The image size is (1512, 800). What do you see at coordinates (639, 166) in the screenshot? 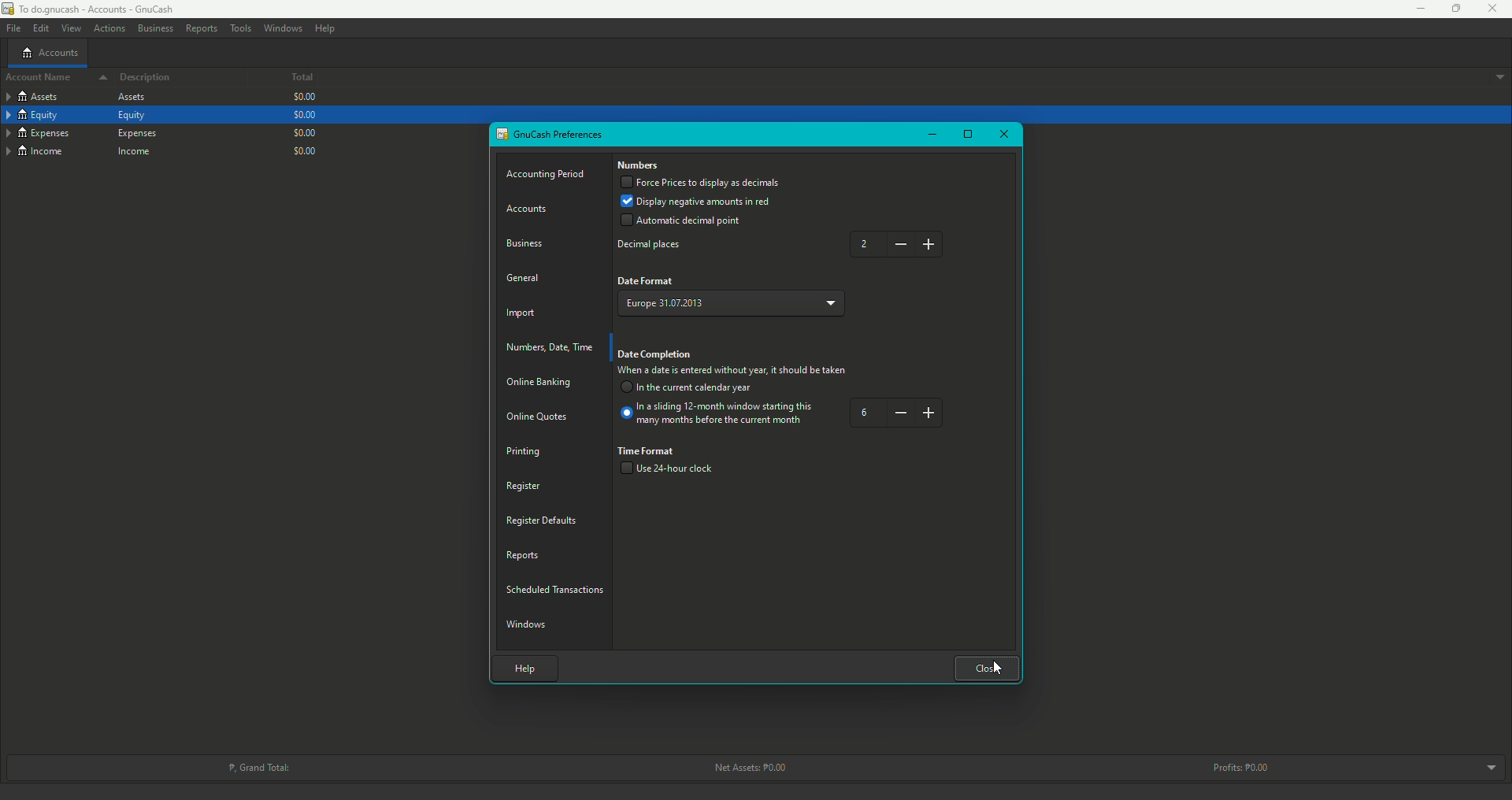
I see `Numbers` at bounding box center [639, 166].